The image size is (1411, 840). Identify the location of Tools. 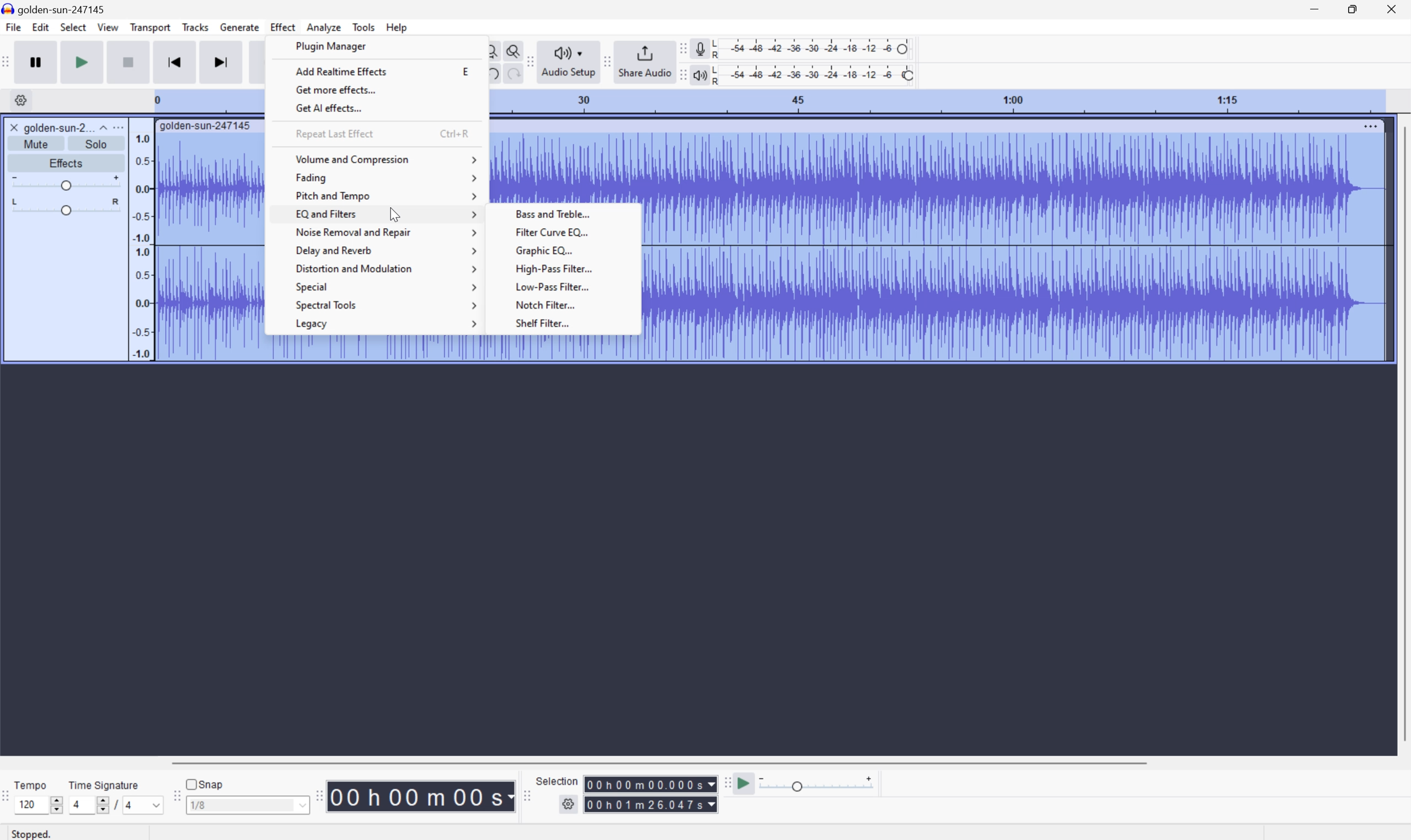
(363, 27).